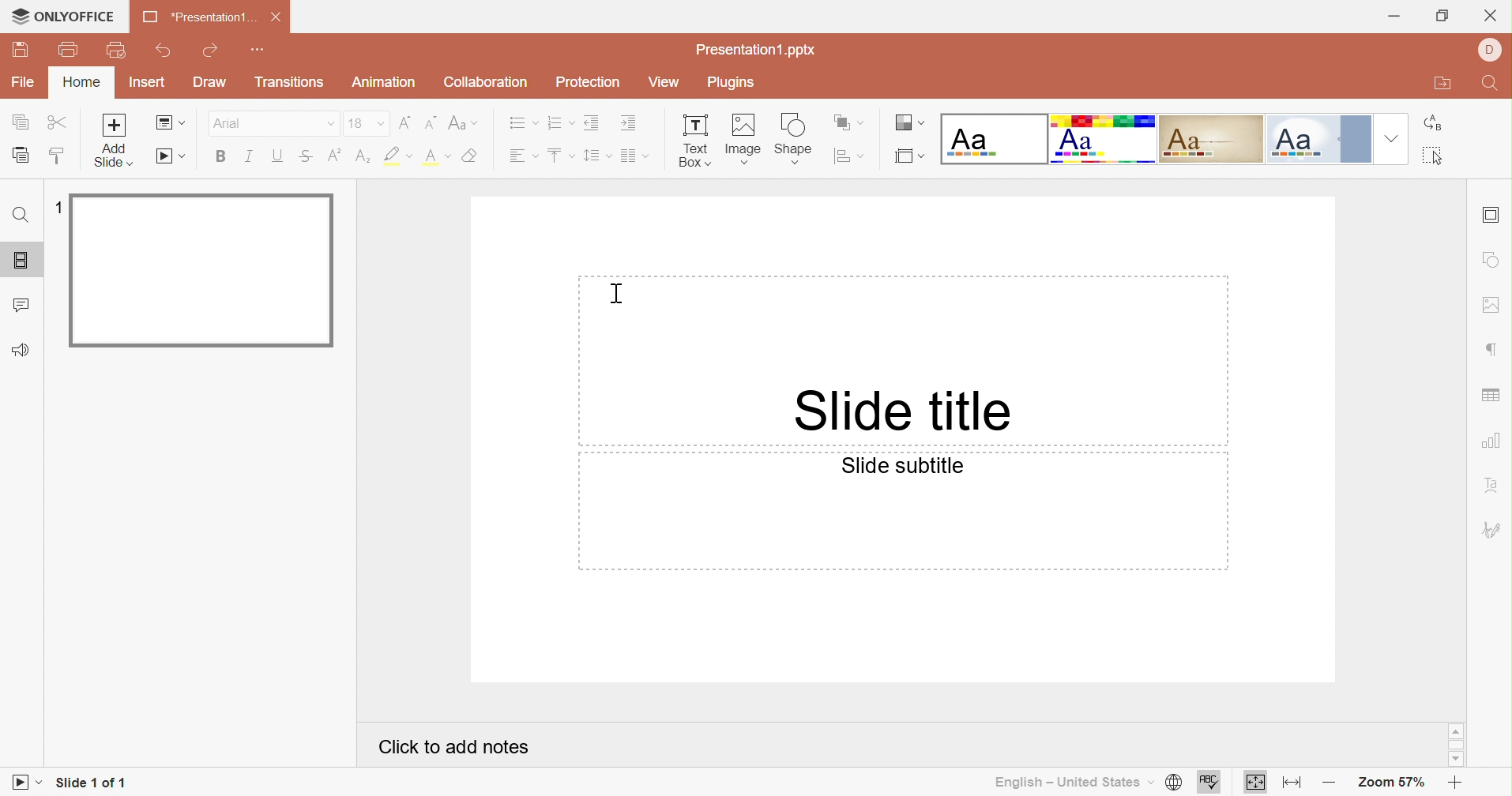  Describe the element at coordinates (1390, 138) in the screenshot. I see `Drop Down` at that location.